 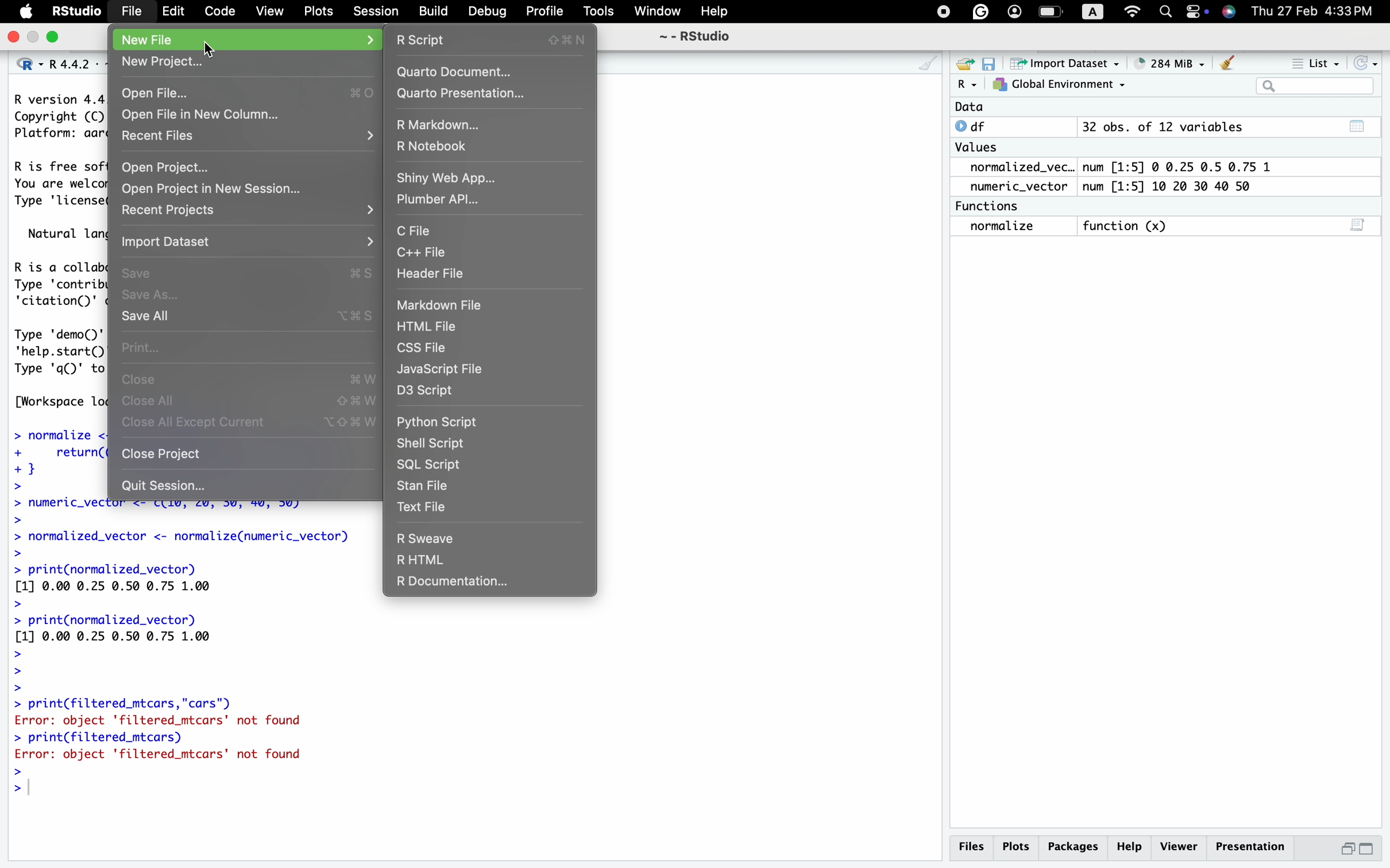 I want to click on RStudio, so click(x=75, y=11).